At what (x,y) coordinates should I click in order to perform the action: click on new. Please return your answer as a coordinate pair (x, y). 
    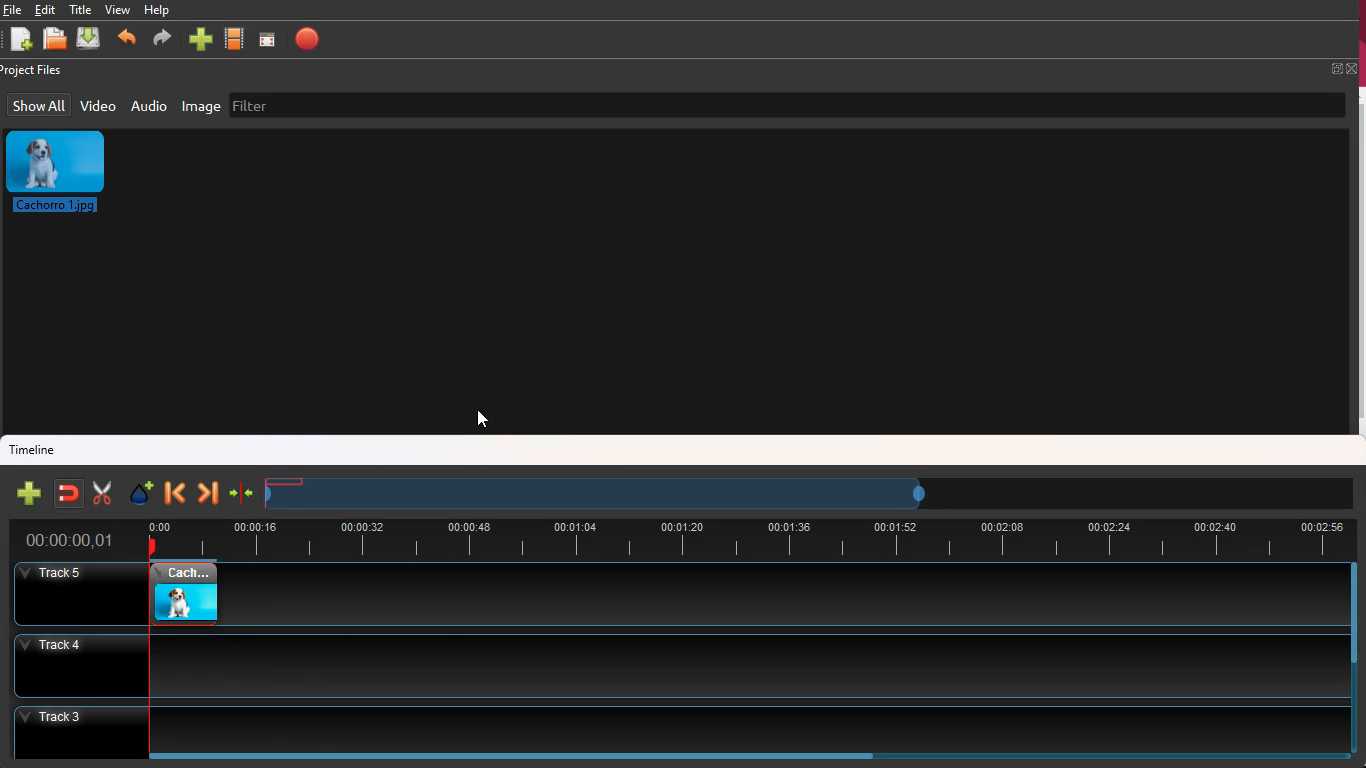
    Looking at the image, I should click on (30, 494).